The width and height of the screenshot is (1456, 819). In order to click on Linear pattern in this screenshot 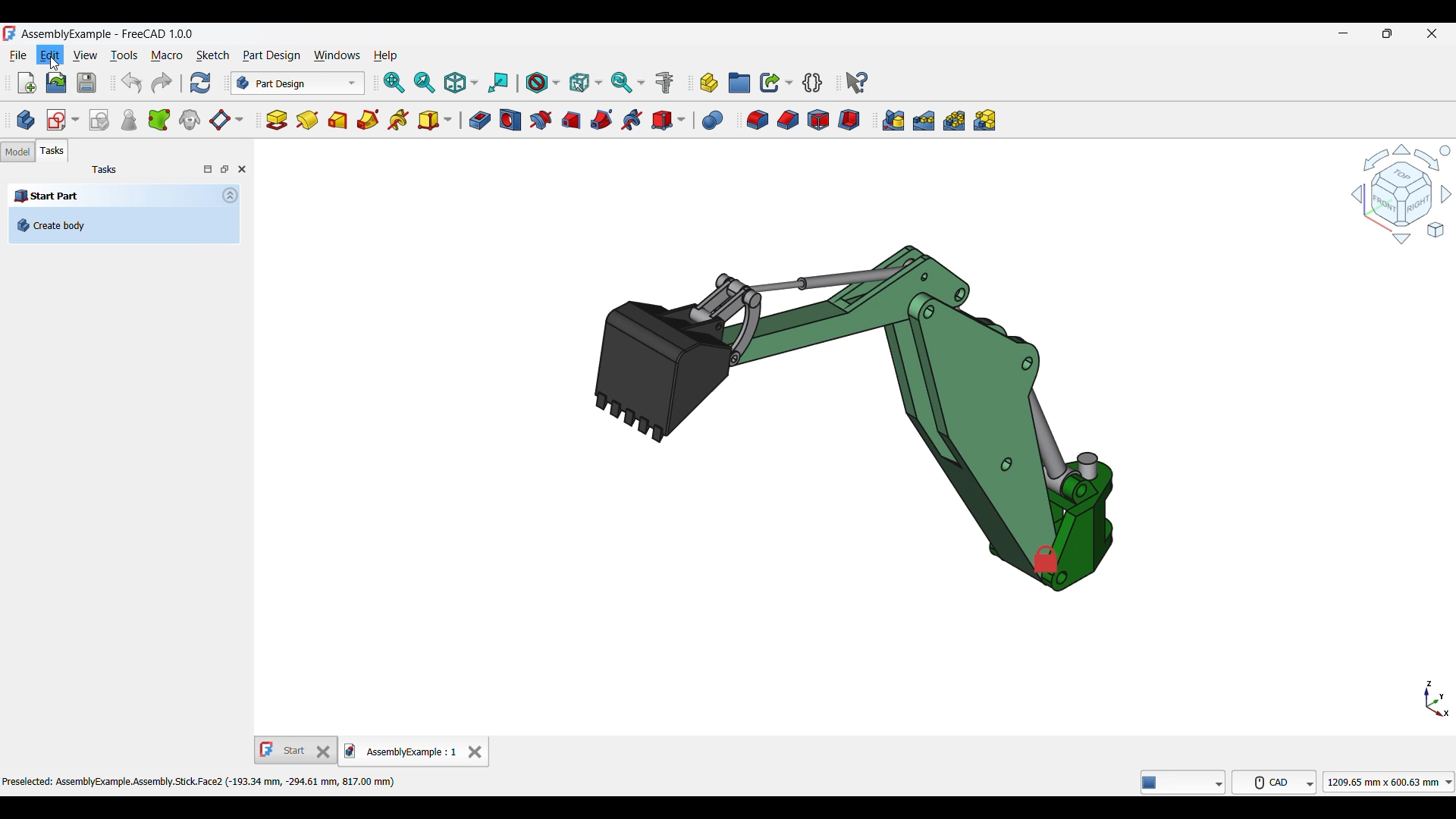, I will do `click(924, 121)`.